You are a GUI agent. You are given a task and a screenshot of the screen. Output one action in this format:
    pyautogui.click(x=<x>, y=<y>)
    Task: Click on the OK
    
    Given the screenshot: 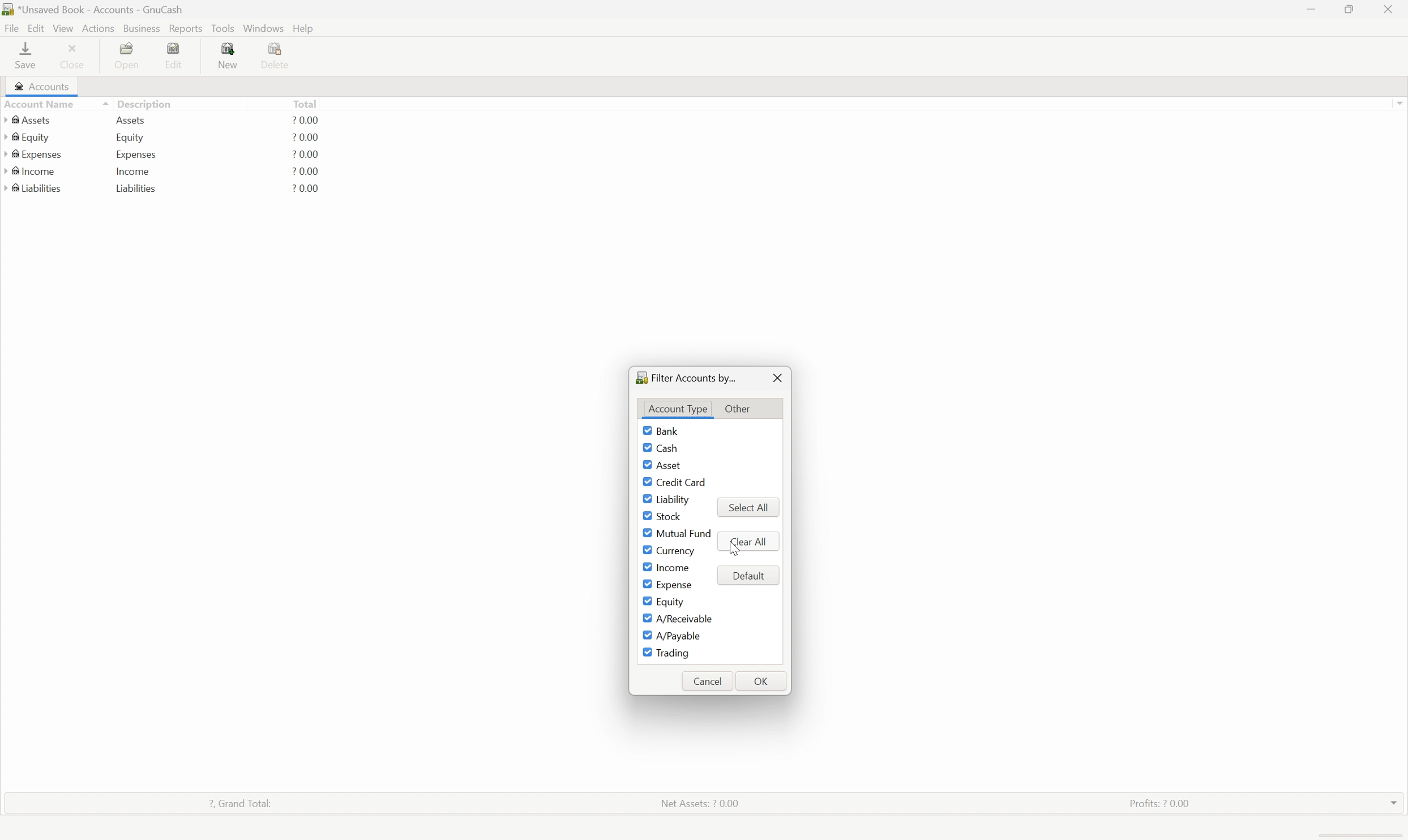 What is the action you would take?
    pyautogui.click(x=762, y=680)
    